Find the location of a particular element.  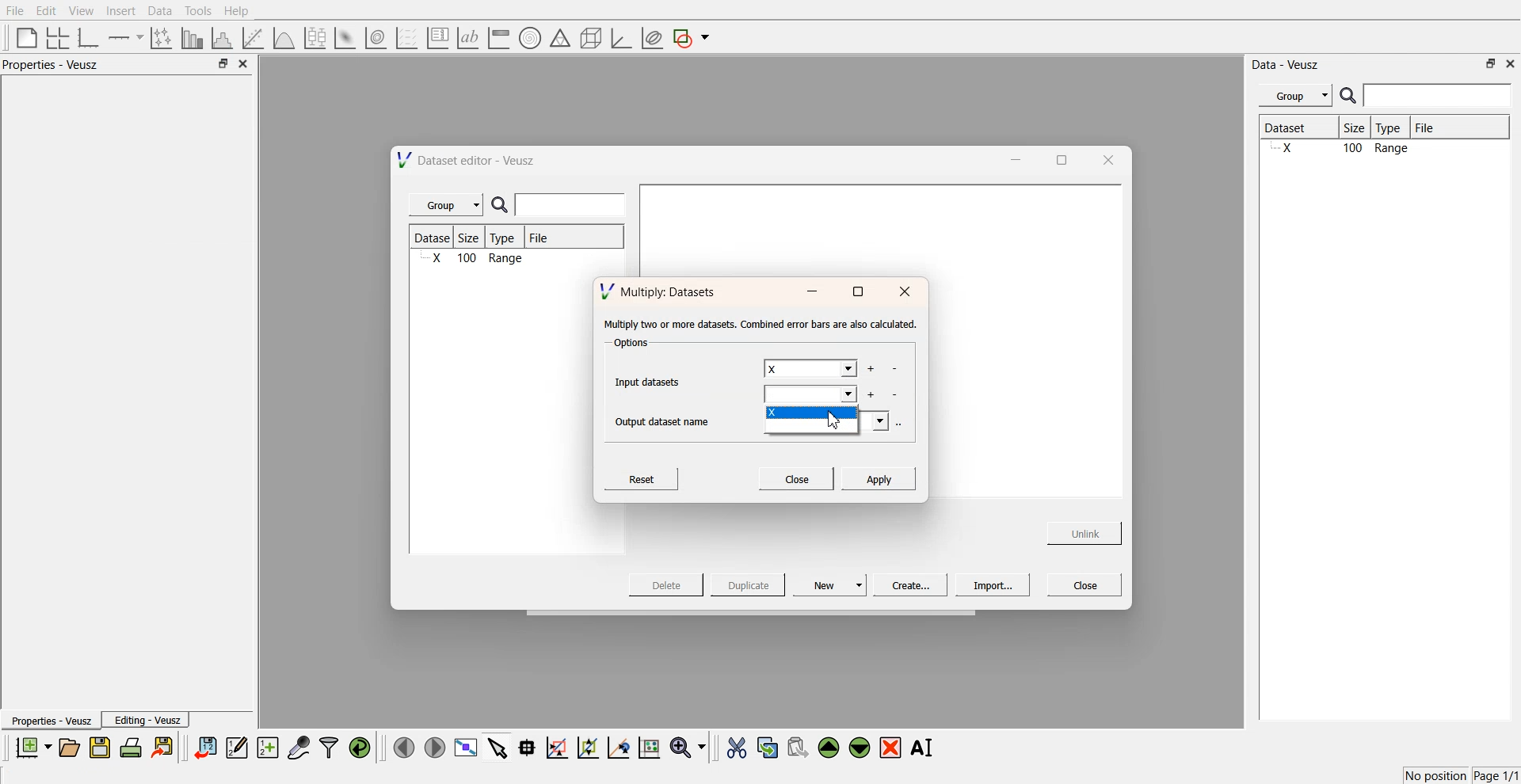

View is located at coordinates (80, 11).